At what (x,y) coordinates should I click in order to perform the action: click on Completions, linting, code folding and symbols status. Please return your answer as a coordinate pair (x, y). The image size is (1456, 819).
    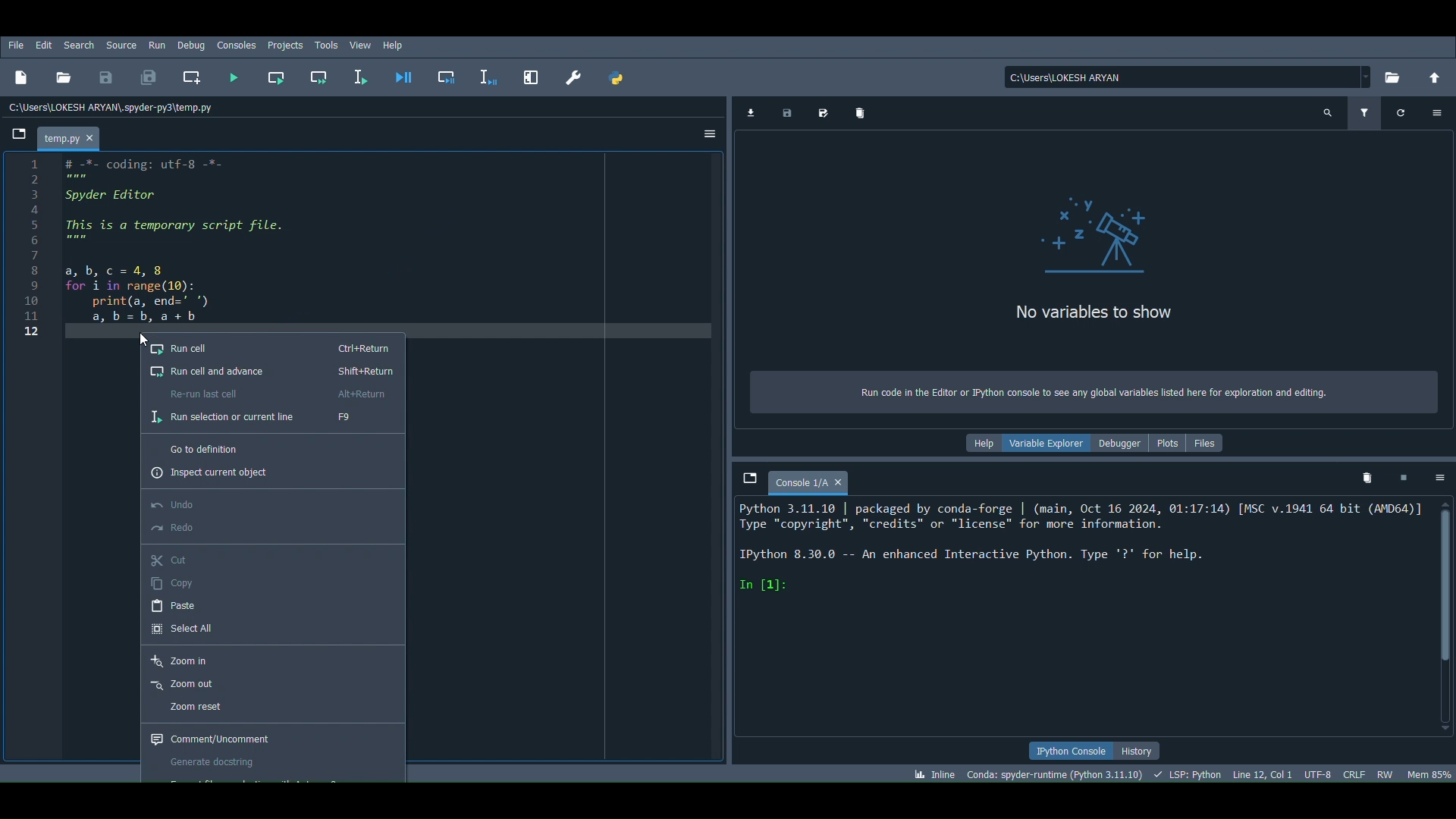
    Looking at the image, I should click on (1188, 774).